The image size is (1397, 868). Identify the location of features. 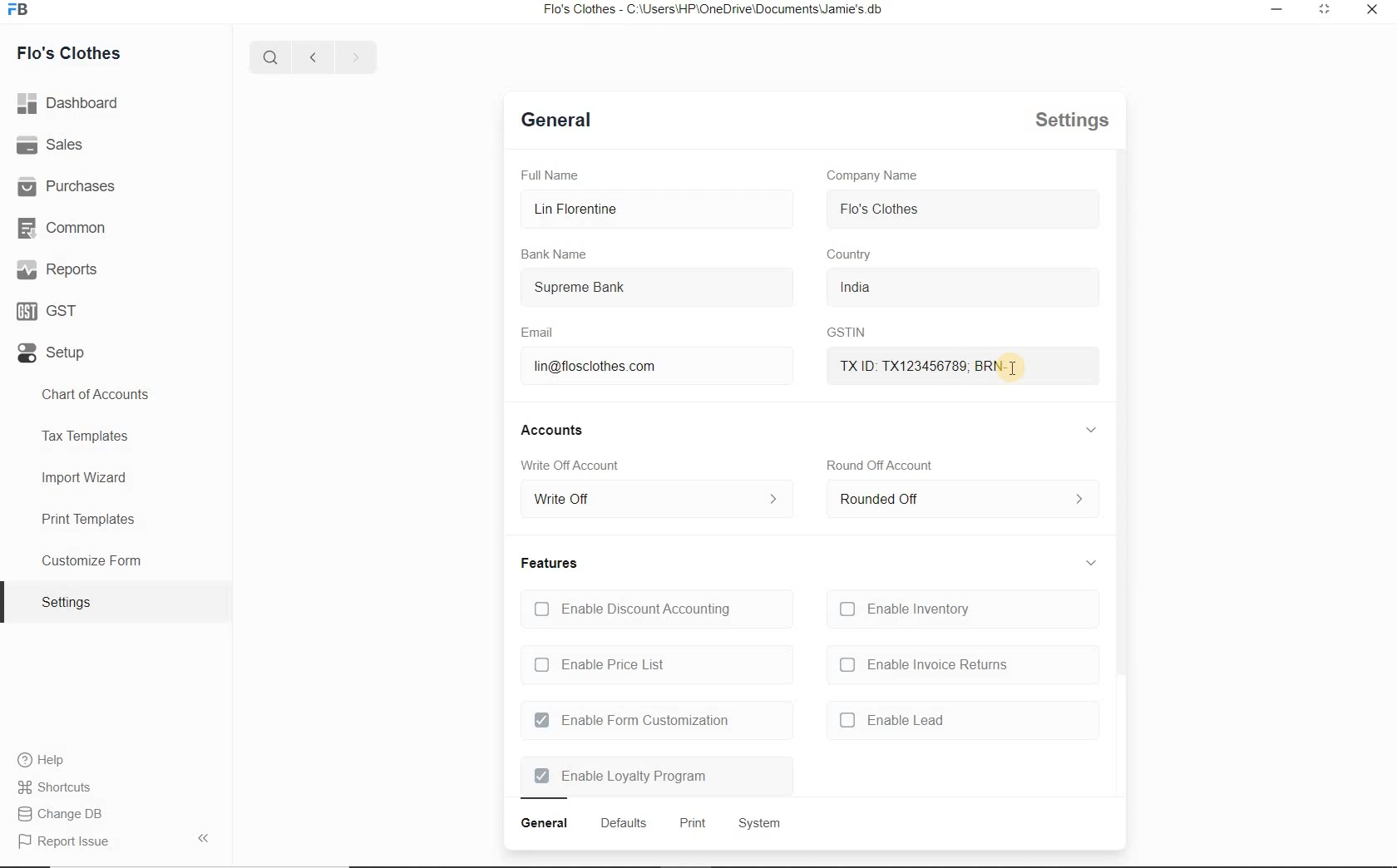
(550, 563).